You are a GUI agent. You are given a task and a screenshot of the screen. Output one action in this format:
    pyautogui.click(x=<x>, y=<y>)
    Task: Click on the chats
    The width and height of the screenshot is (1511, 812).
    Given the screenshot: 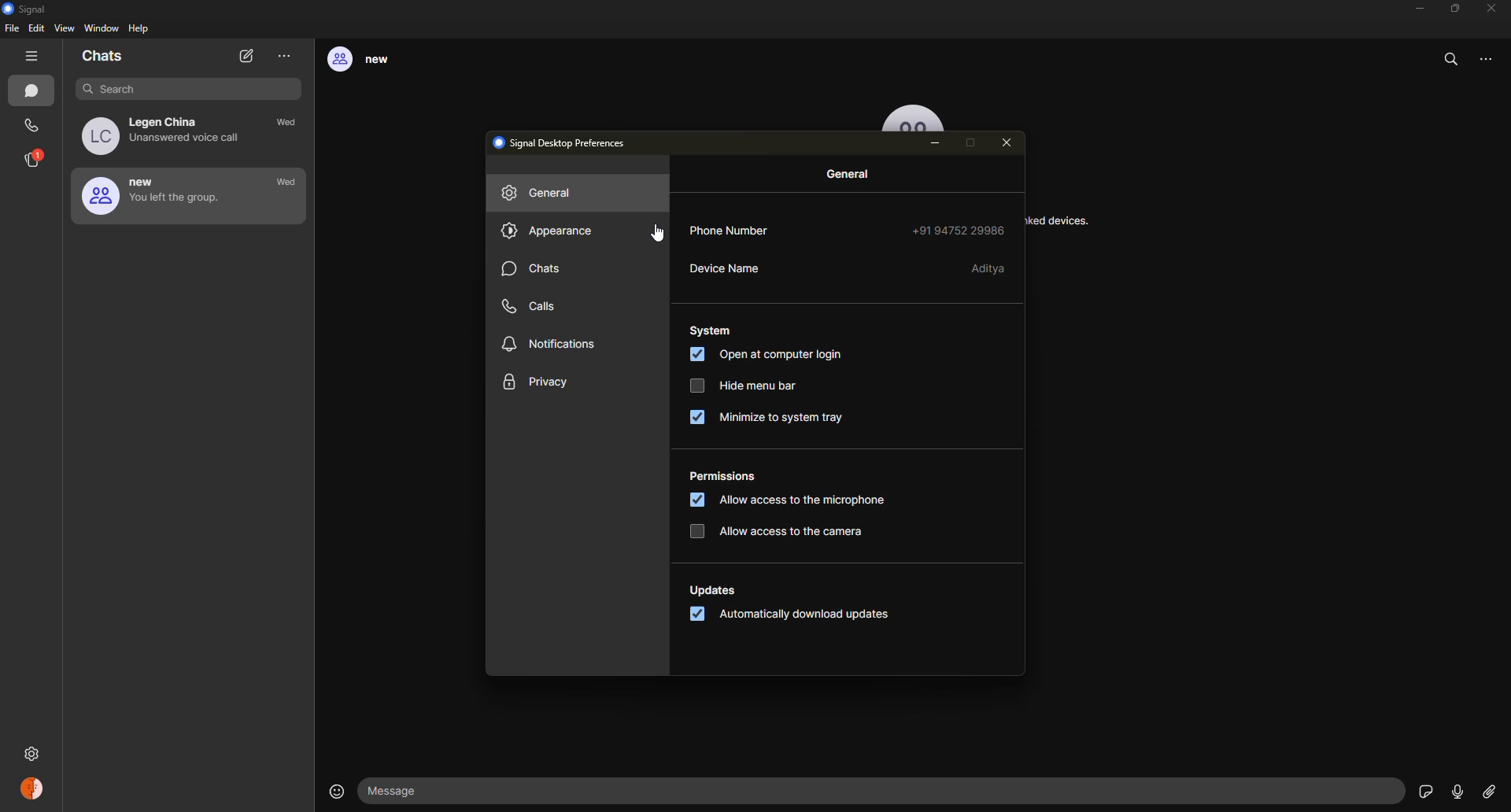 What is the action you would take?
    pyautogui.click(x=35, y=92)
    